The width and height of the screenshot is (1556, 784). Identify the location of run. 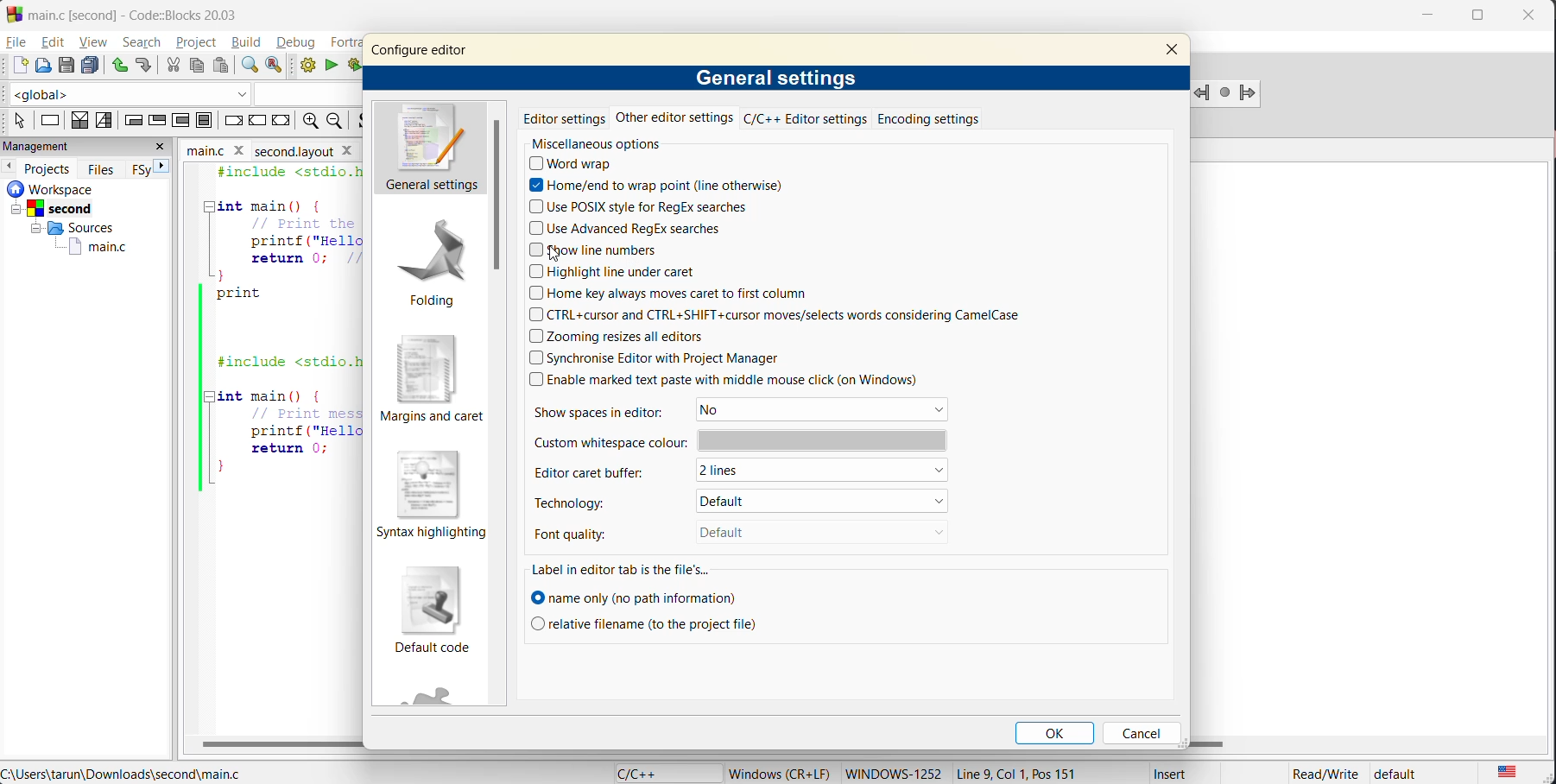
(331, 65).